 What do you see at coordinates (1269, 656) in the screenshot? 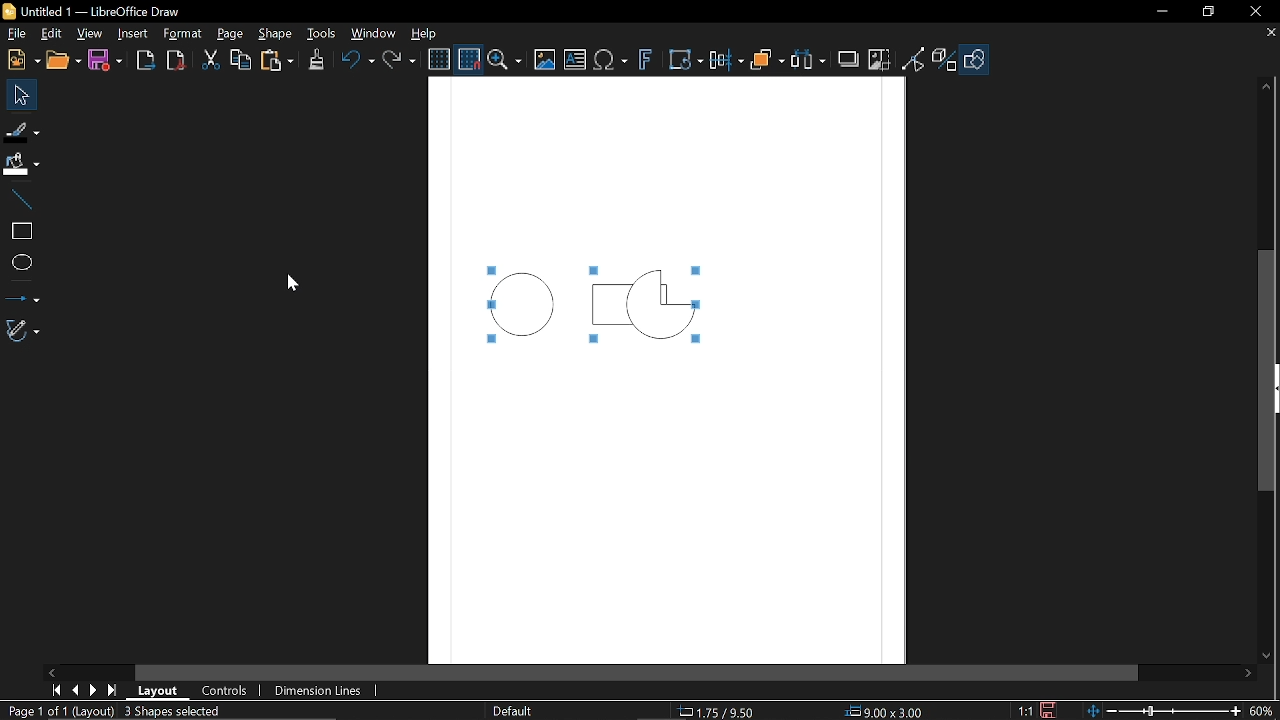
I see `Move down` at bounding box center [1269, 656].